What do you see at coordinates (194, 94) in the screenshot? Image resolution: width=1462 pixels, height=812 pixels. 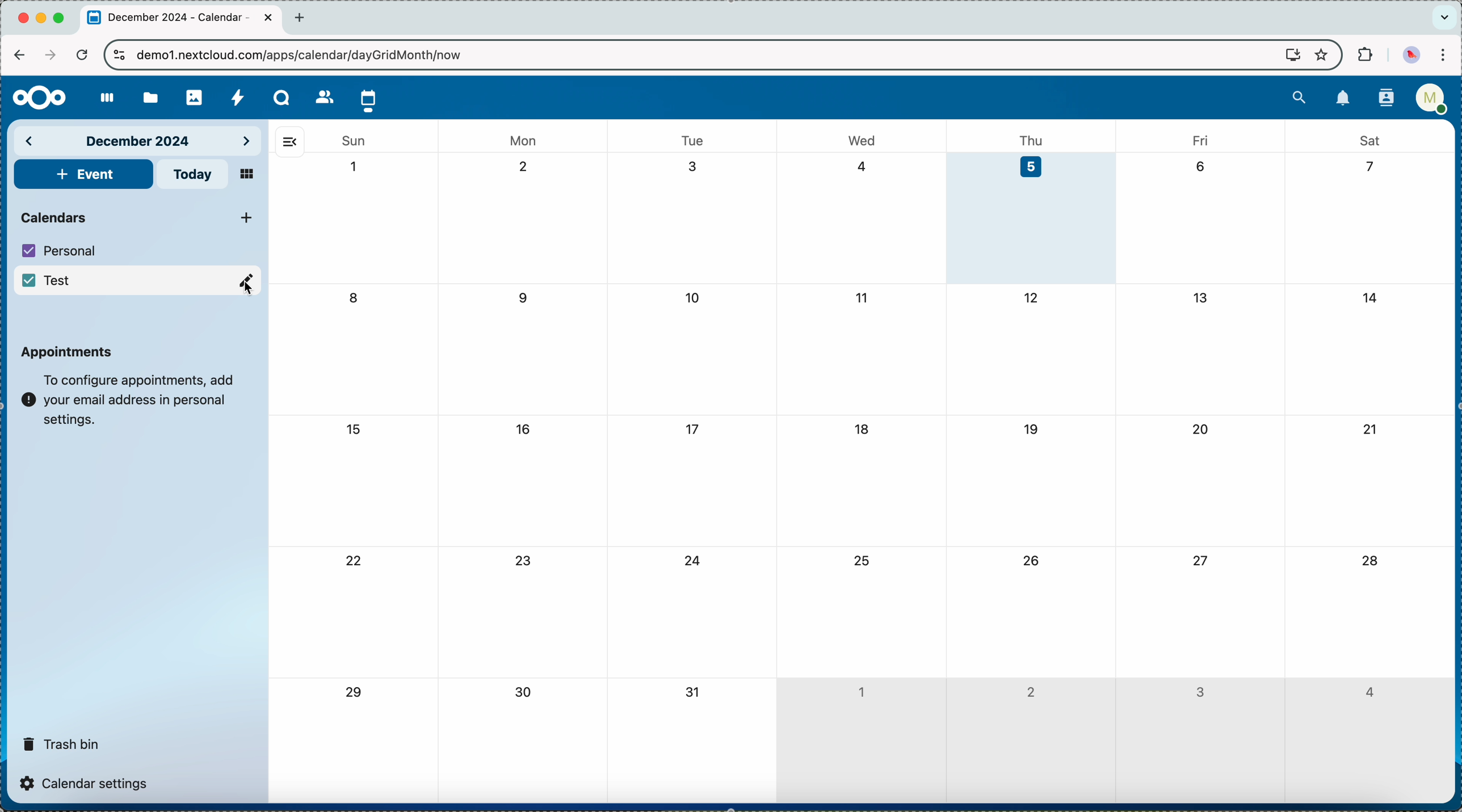 I see `photos` at bounding box center [194, 94].